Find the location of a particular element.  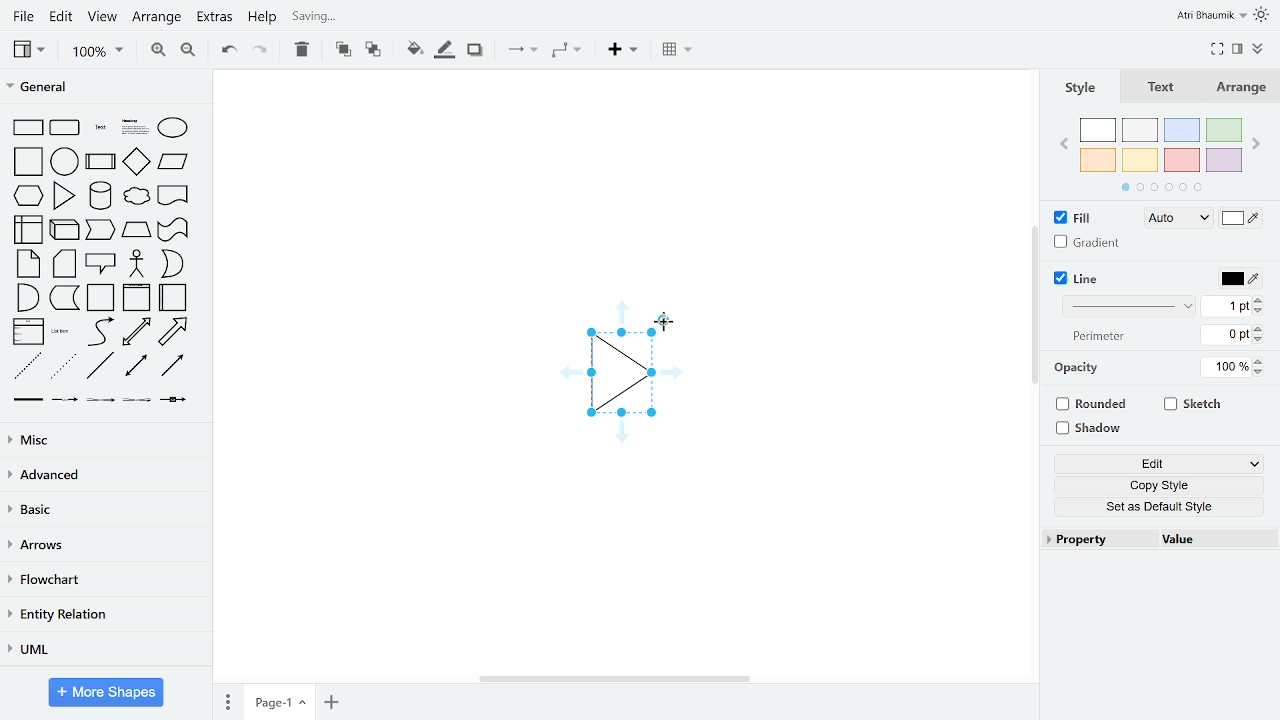

delete is located at coordinates (302, 49).